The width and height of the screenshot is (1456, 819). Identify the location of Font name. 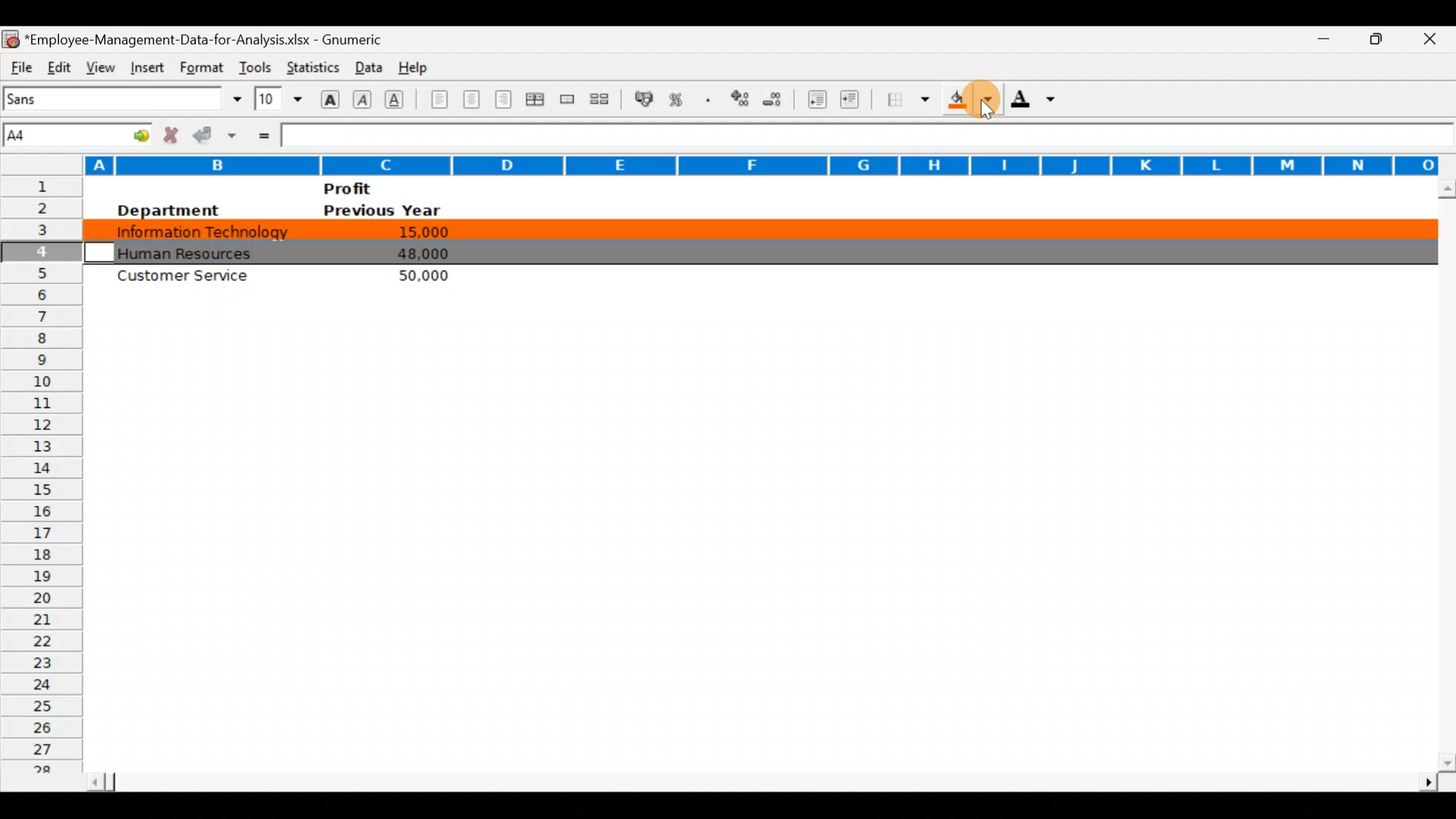
(124, 99).